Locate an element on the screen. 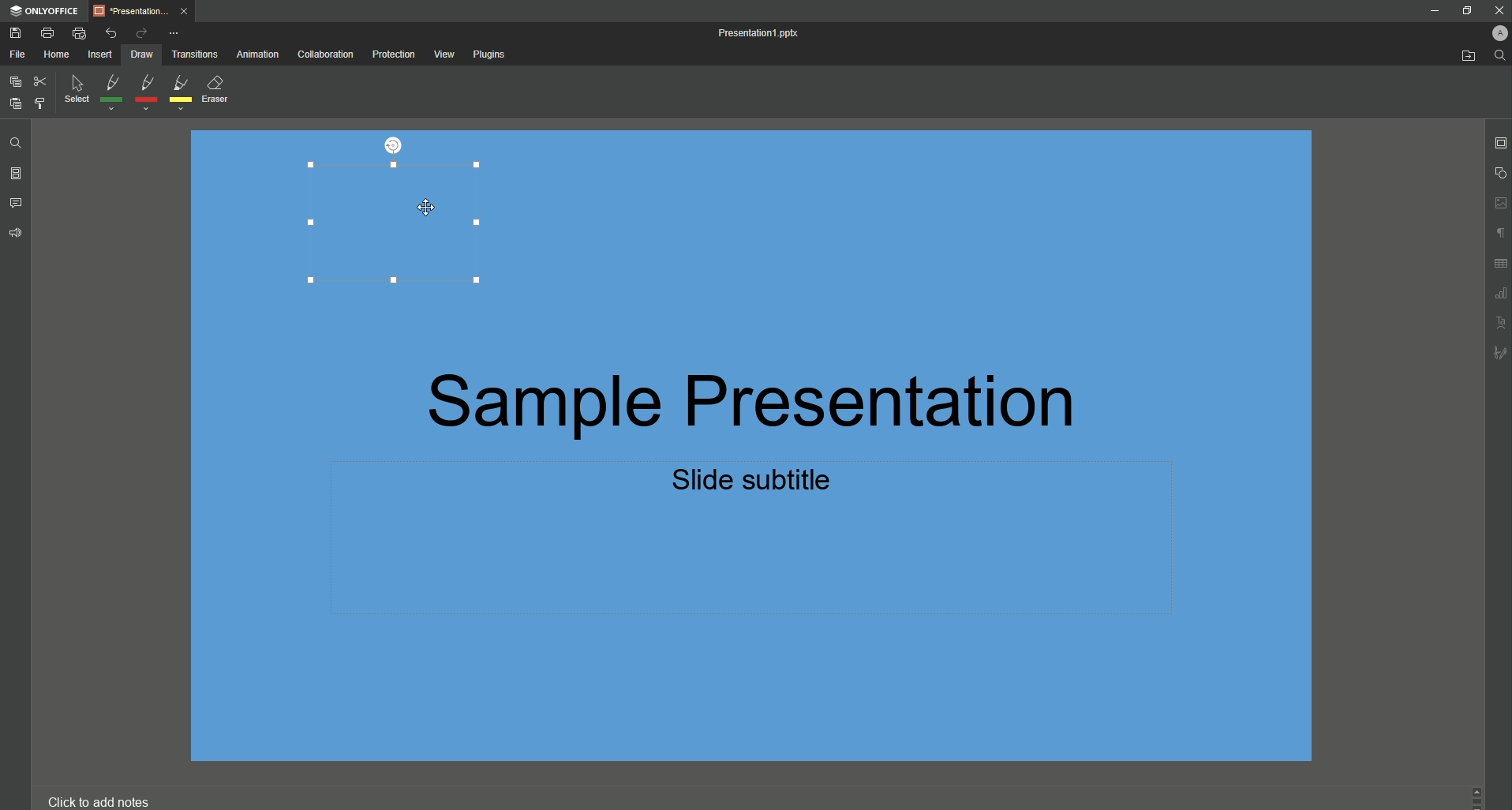 This screenshot has width=1512, height=810. Green is located at coordinates (111, 94).